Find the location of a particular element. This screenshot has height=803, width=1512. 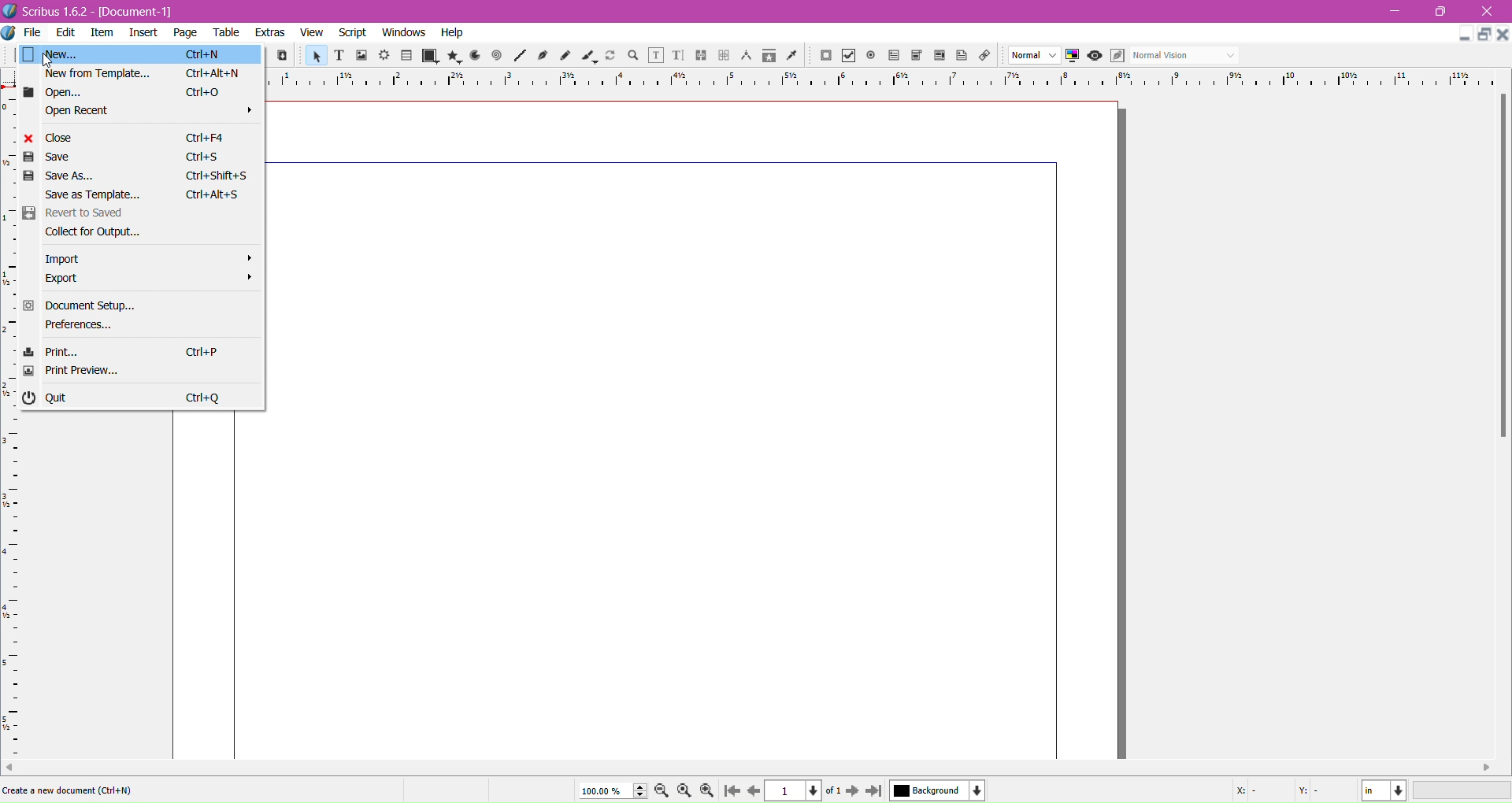

close is located at coordinates (1503, 36).